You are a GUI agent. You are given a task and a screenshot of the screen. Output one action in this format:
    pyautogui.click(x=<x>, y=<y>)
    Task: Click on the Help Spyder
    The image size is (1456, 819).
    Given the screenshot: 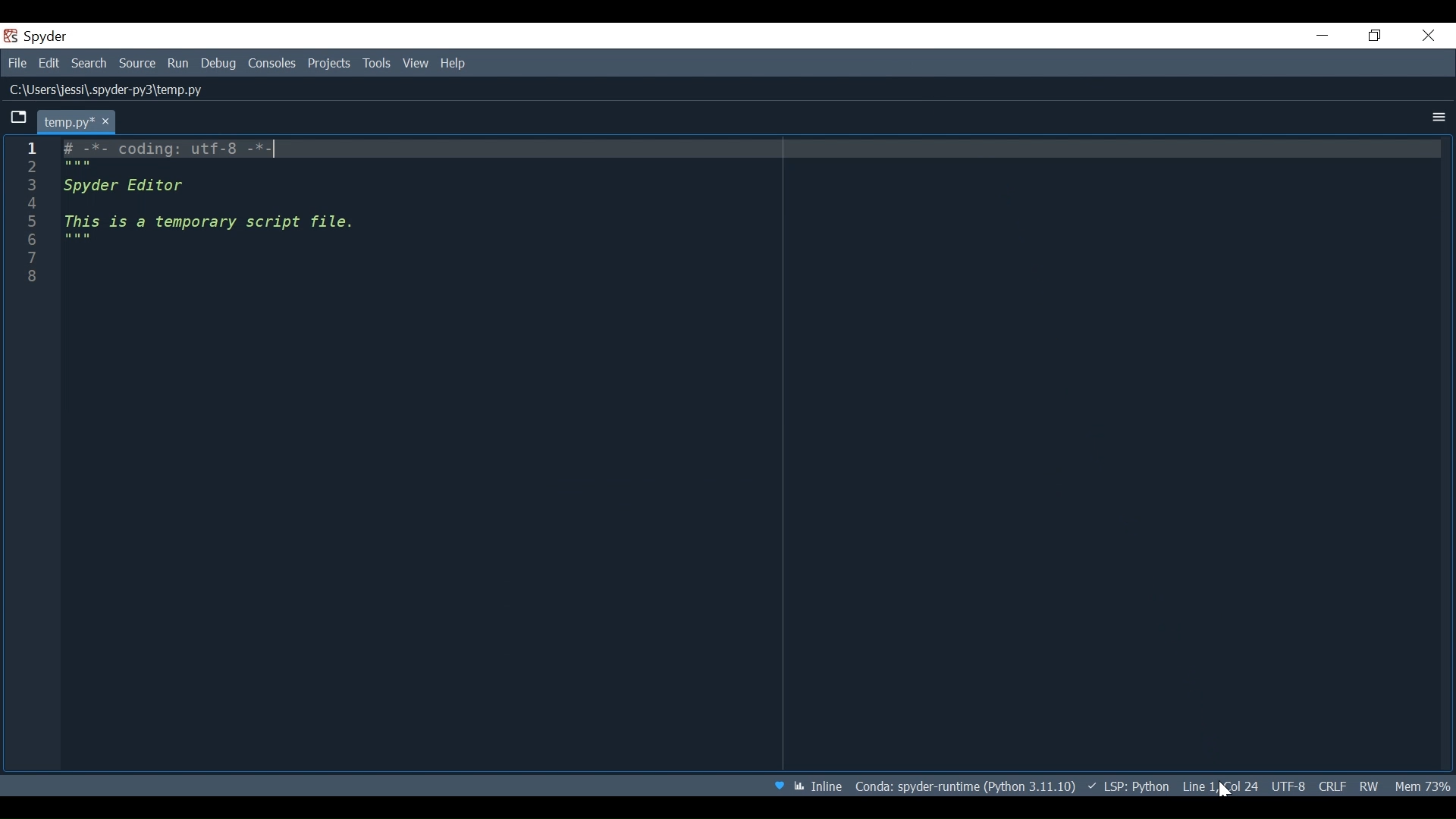 What is the action you would take?
    pyautogui.click(x=777, y=783)
    